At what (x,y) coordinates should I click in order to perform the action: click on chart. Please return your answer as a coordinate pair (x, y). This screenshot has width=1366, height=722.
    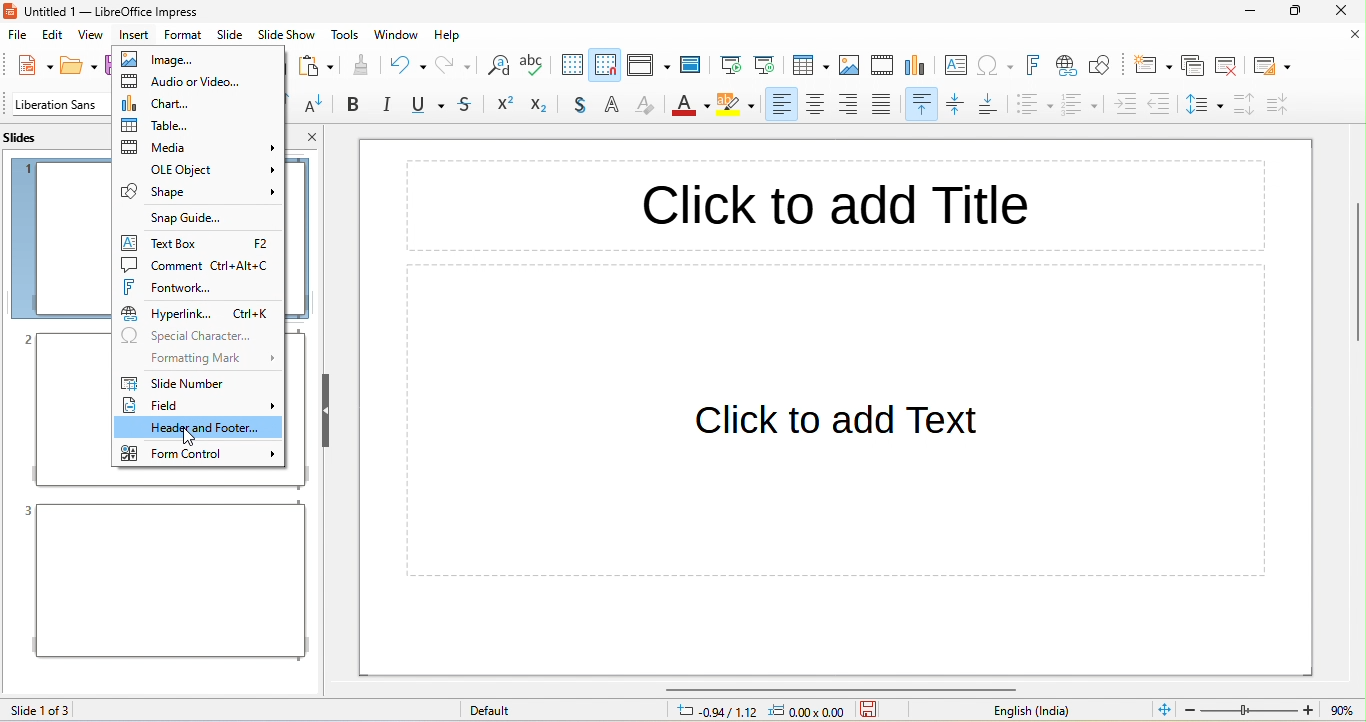
    Looking at the image, I should click on (919, 67).